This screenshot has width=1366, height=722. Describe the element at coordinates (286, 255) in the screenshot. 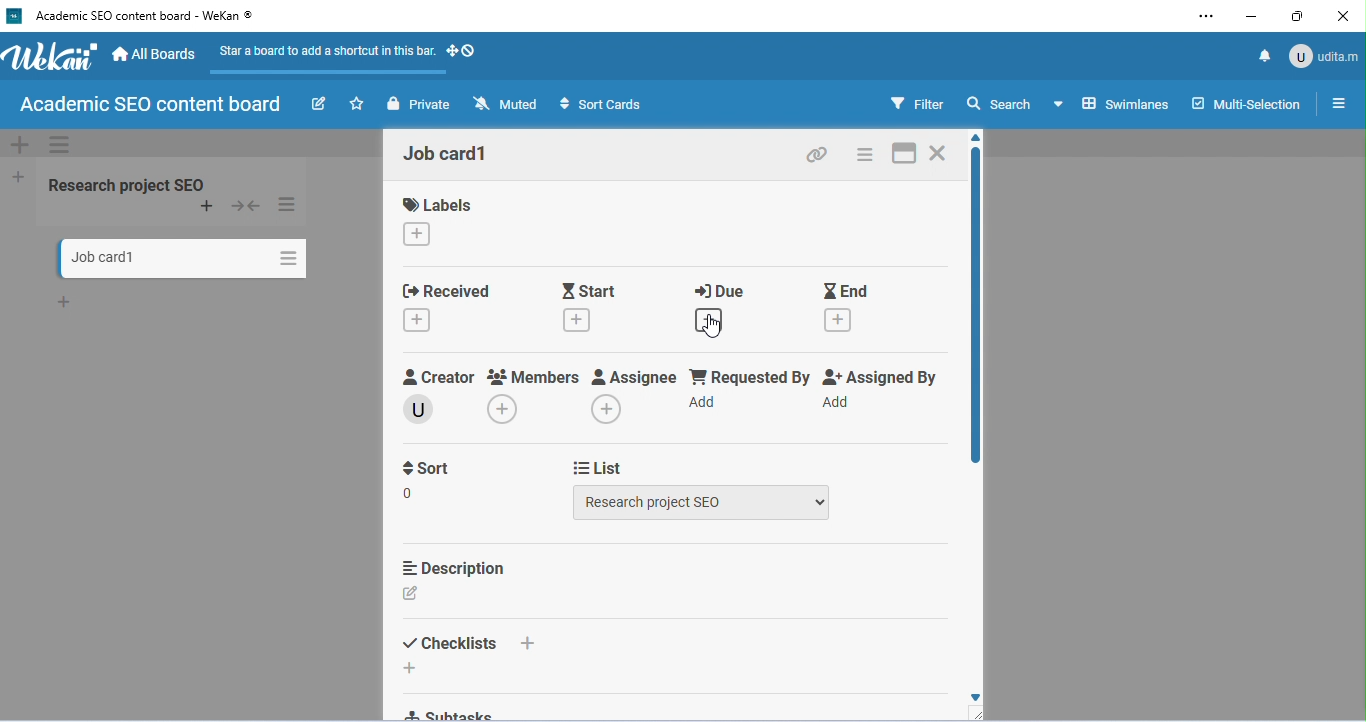

I see `card actions` at that location.